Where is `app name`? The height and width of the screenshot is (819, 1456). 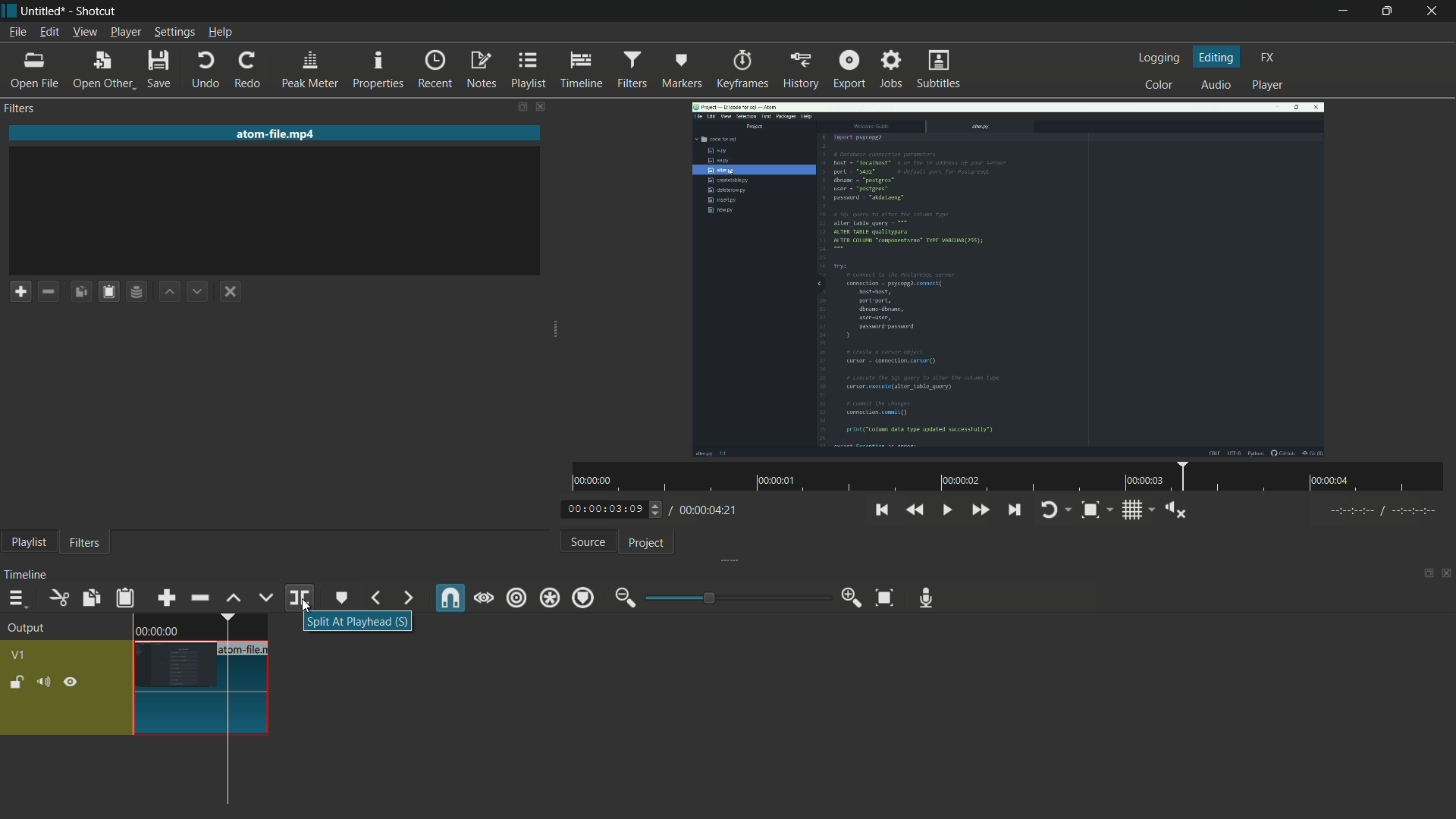 app name is located at coordinates (96, 11).